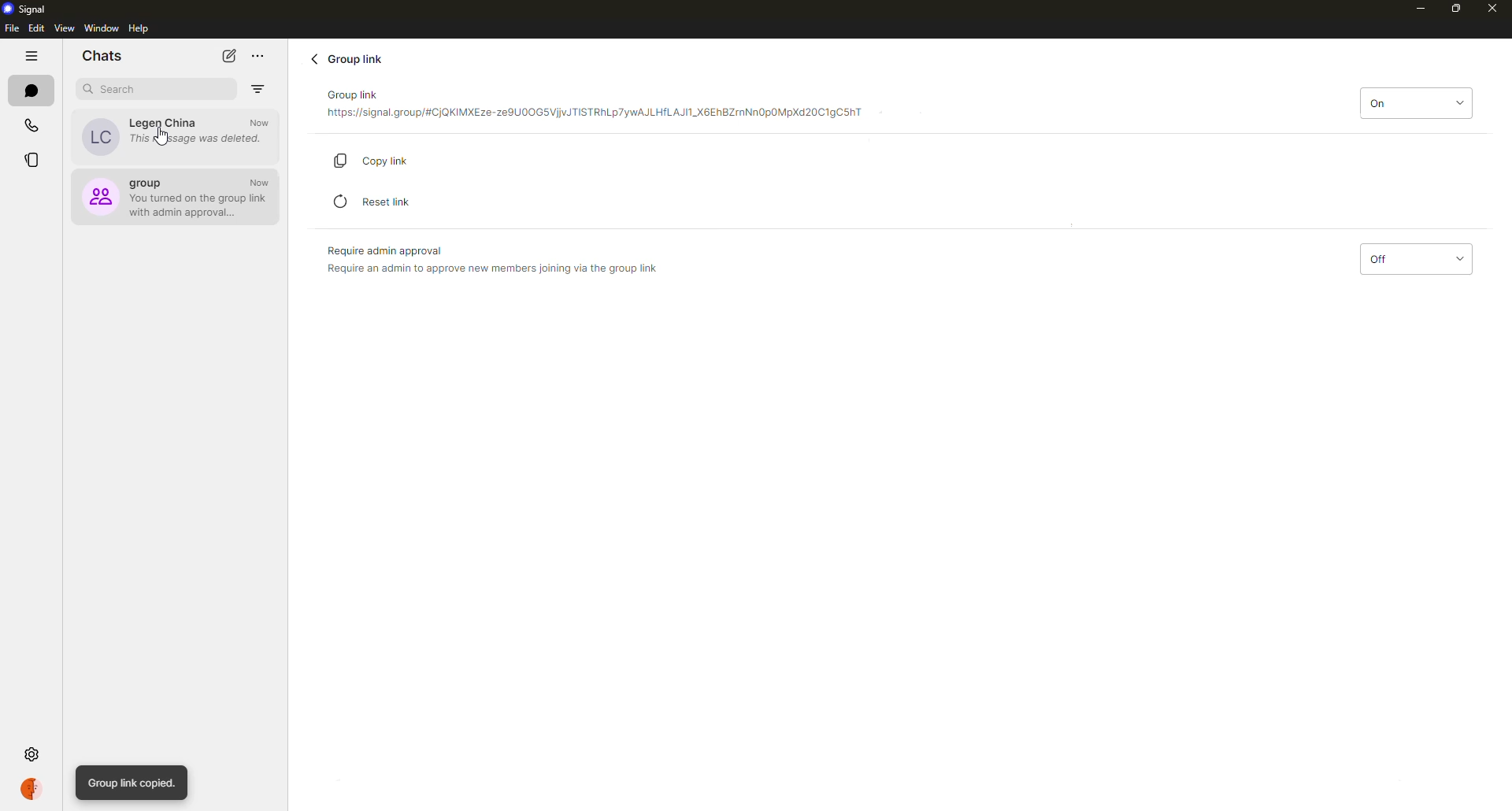  What do you see at coordinates (133, 783) in the screenshot?
I see `group link copied` at bounding box center [133, 783].